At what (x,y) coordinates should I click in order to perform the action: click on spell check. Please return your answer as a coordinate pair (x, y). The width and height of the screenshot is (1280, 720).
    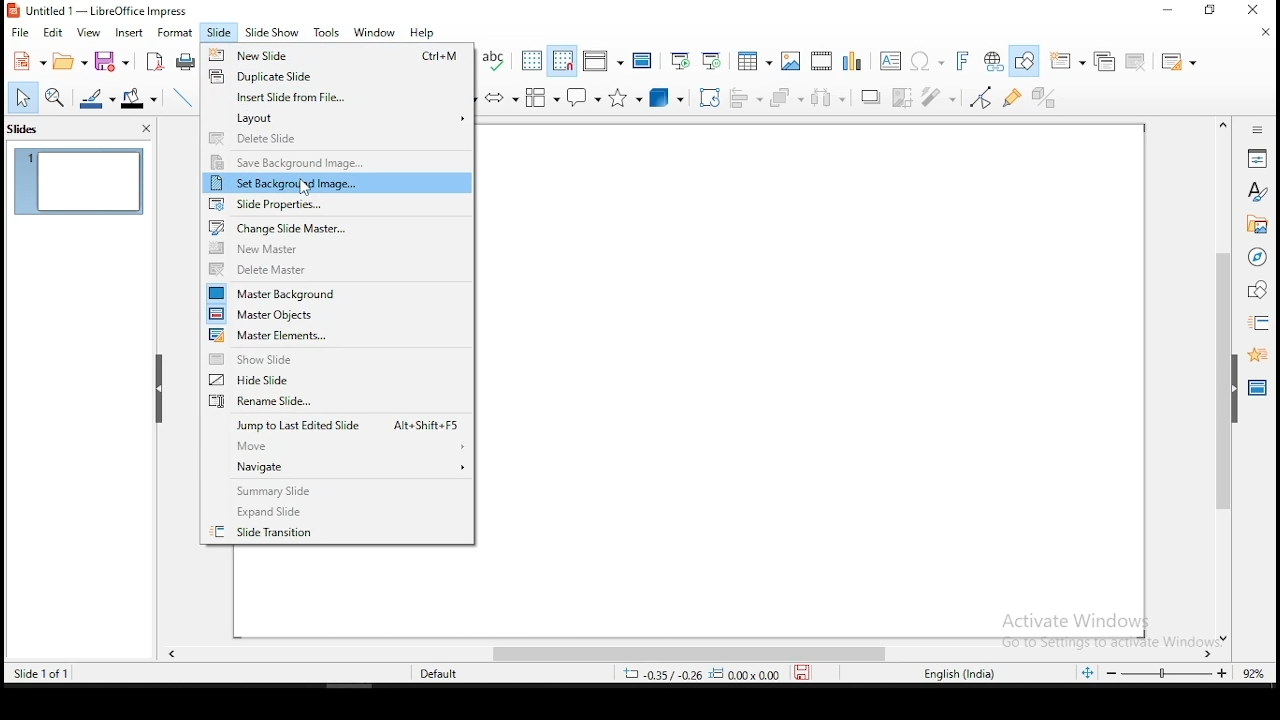
    Looking at the image, I should click on (497, 61).